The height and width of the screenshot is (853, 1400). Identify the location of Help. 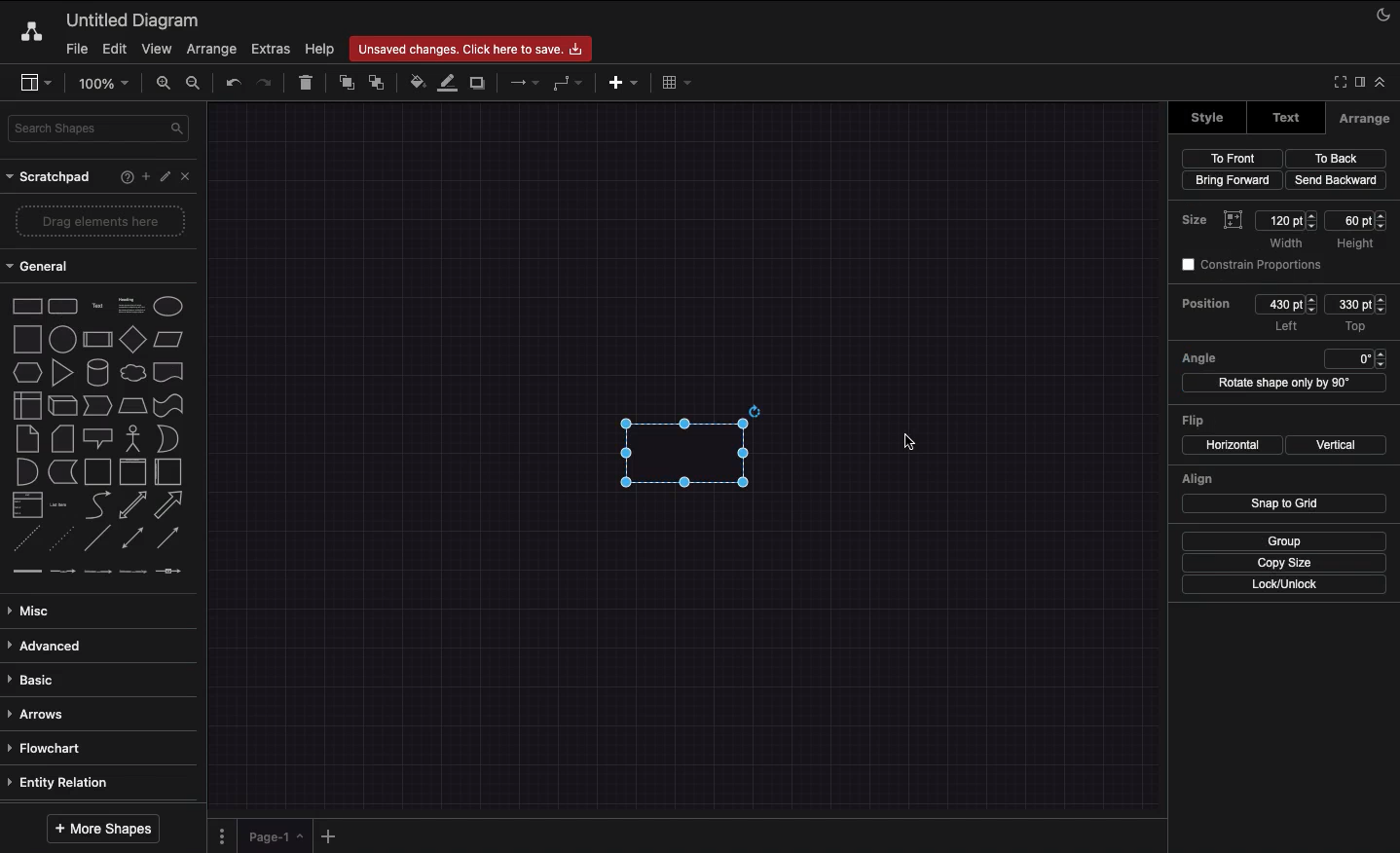
(317, 49).